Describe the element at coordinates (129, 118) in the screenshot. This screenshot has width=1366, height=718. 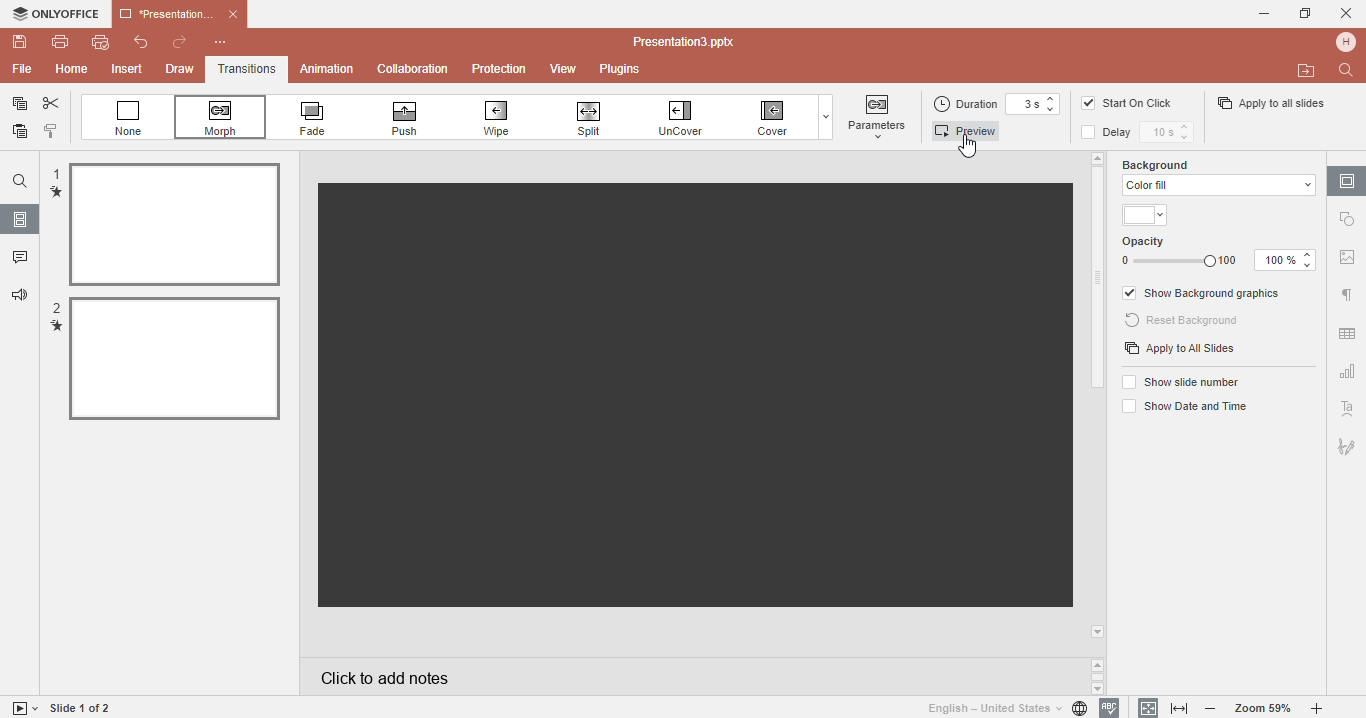
I see `None` at that location.